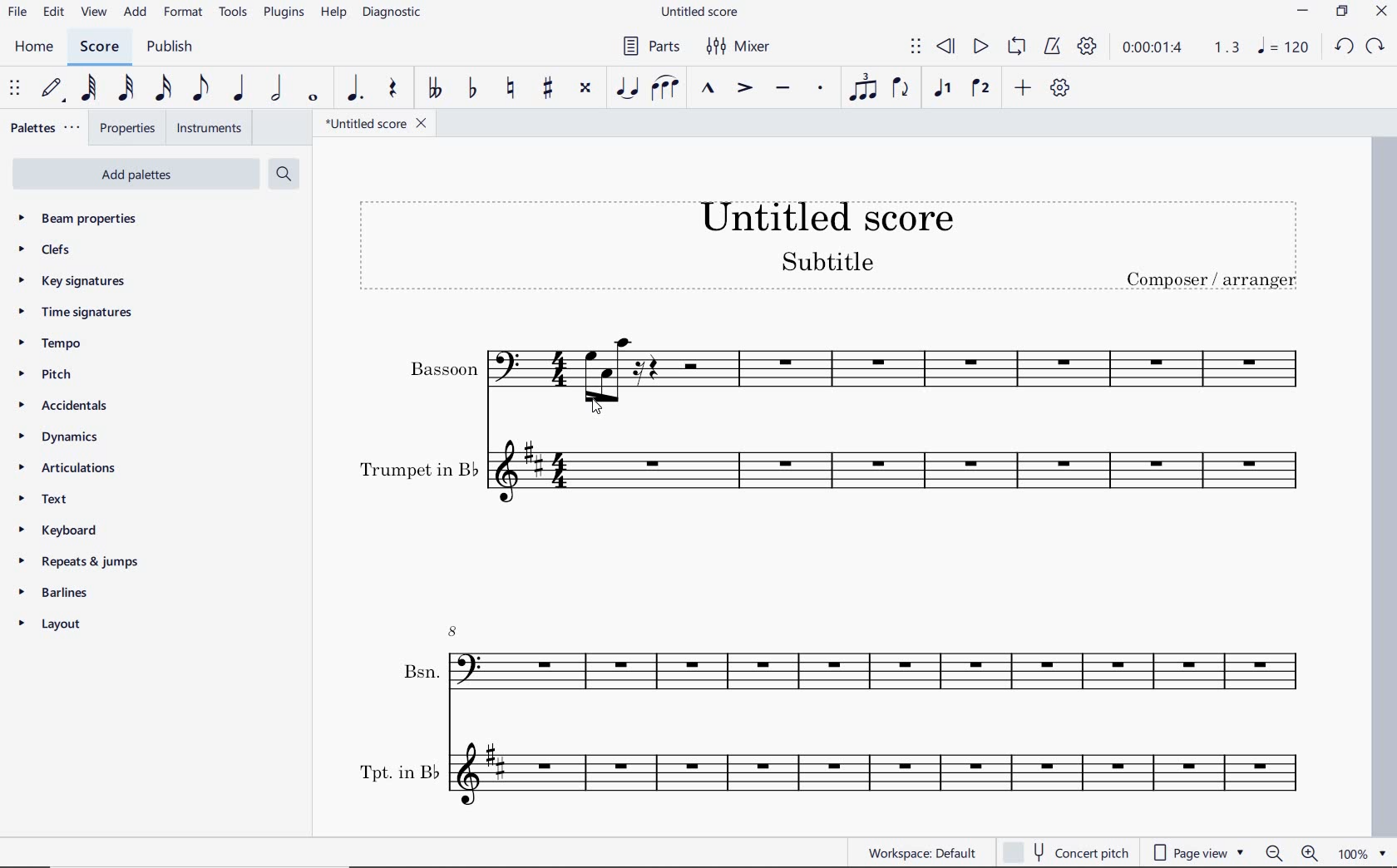  What do you see at coordinates (822, 89) in the screenshot?
I see `staccato` at bounding box center [822, 89].